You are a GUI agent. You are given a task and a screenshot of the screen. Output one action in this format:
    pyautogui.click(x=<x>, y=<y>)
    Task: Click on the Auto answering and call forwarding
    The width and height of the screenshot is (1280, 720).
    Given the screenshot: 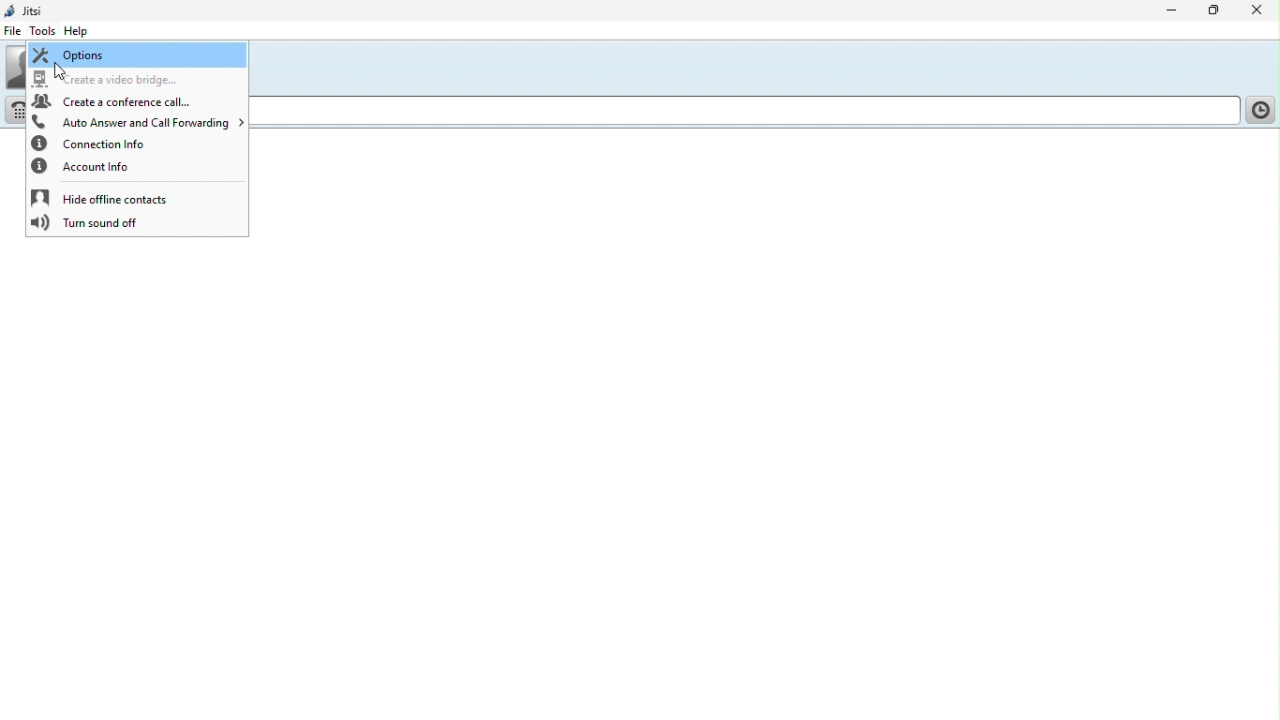 What is the action you would take?
    pyautogui.click(x=134, y=123)
    